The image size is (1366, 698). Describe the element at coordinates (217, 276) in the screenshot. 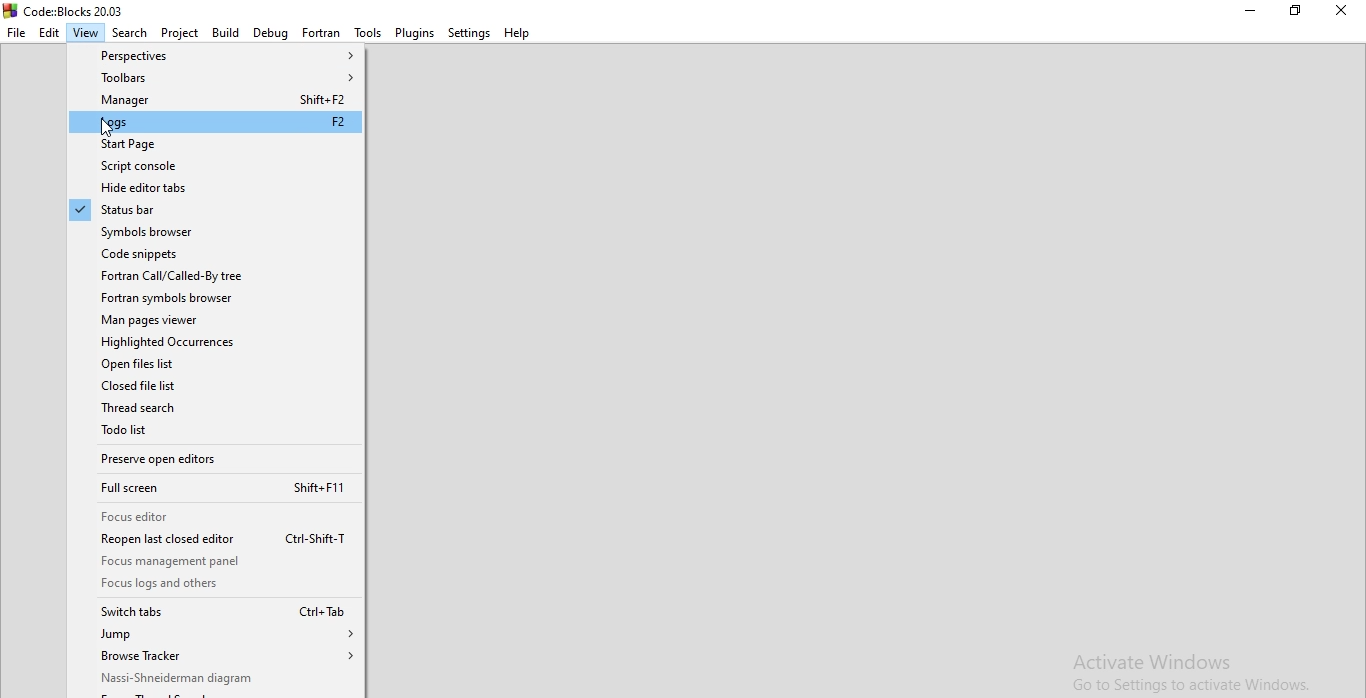

I see `fortran call/called-by tree` at that location.